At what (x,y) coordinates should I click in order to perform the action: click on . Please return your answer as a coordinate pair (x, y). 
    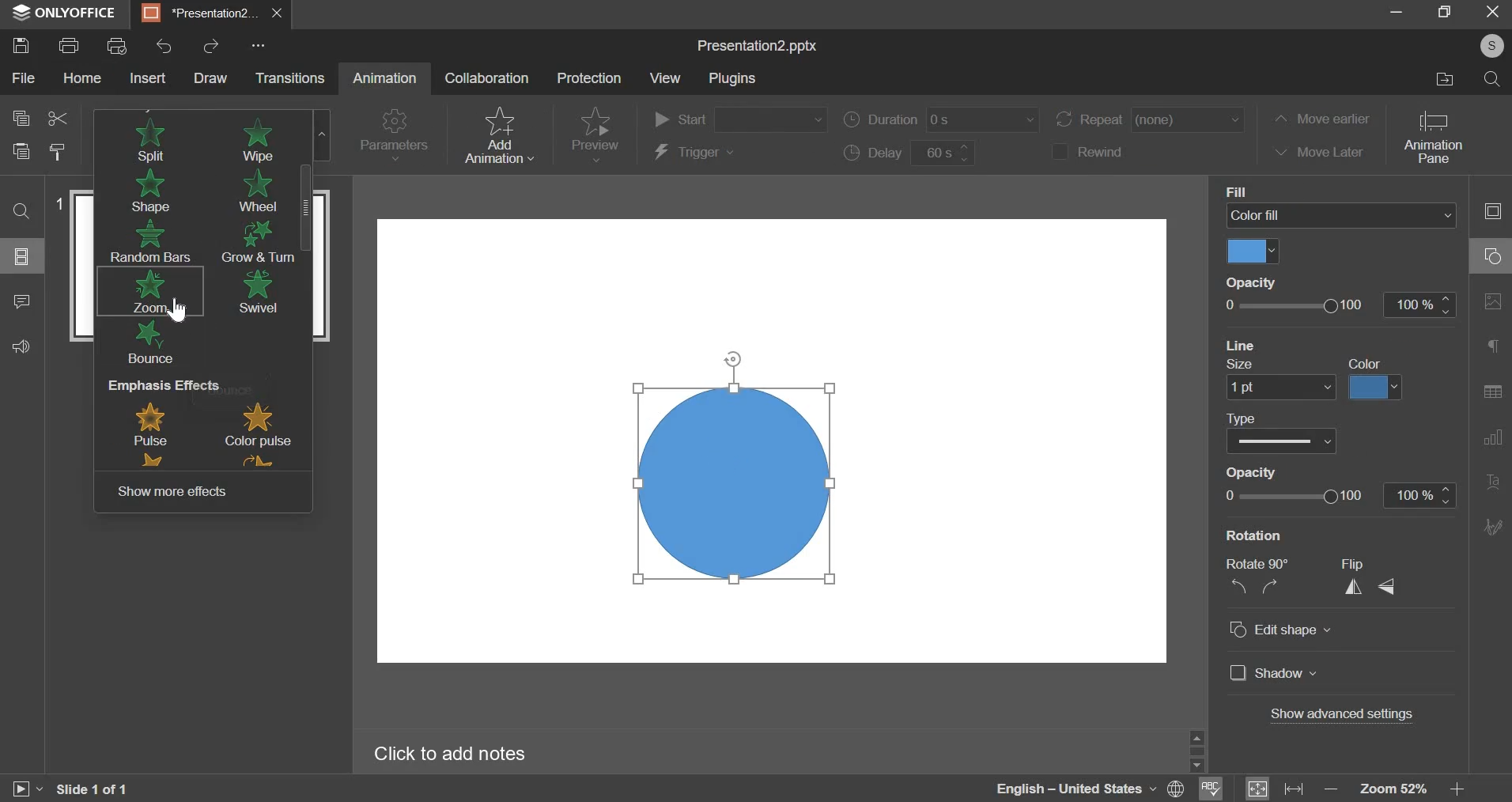
    Looking at the image, I should click on (19, 301).